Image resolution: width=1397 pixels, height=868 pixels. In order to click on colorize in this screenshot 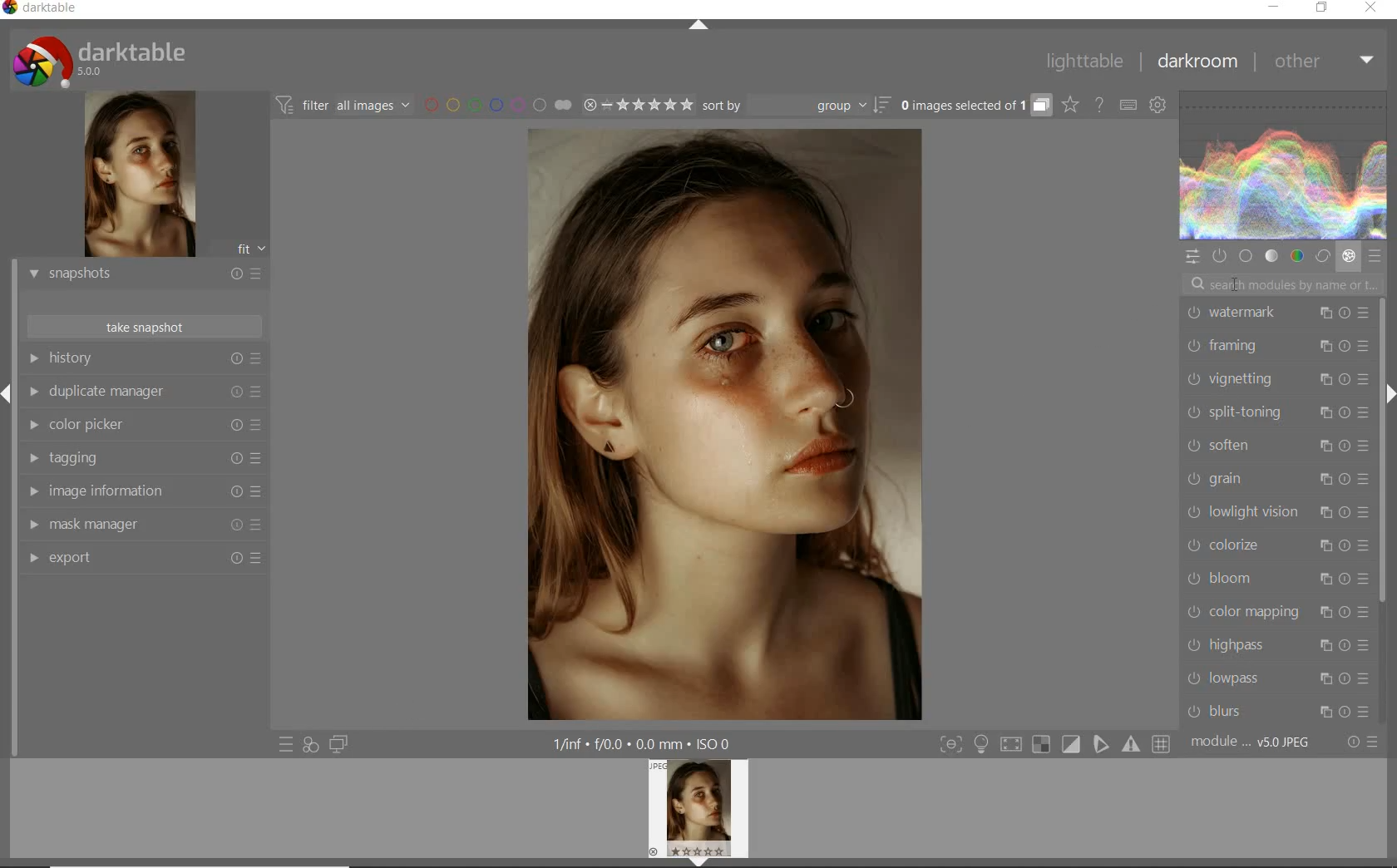, I will do `click(1276, 545)`.